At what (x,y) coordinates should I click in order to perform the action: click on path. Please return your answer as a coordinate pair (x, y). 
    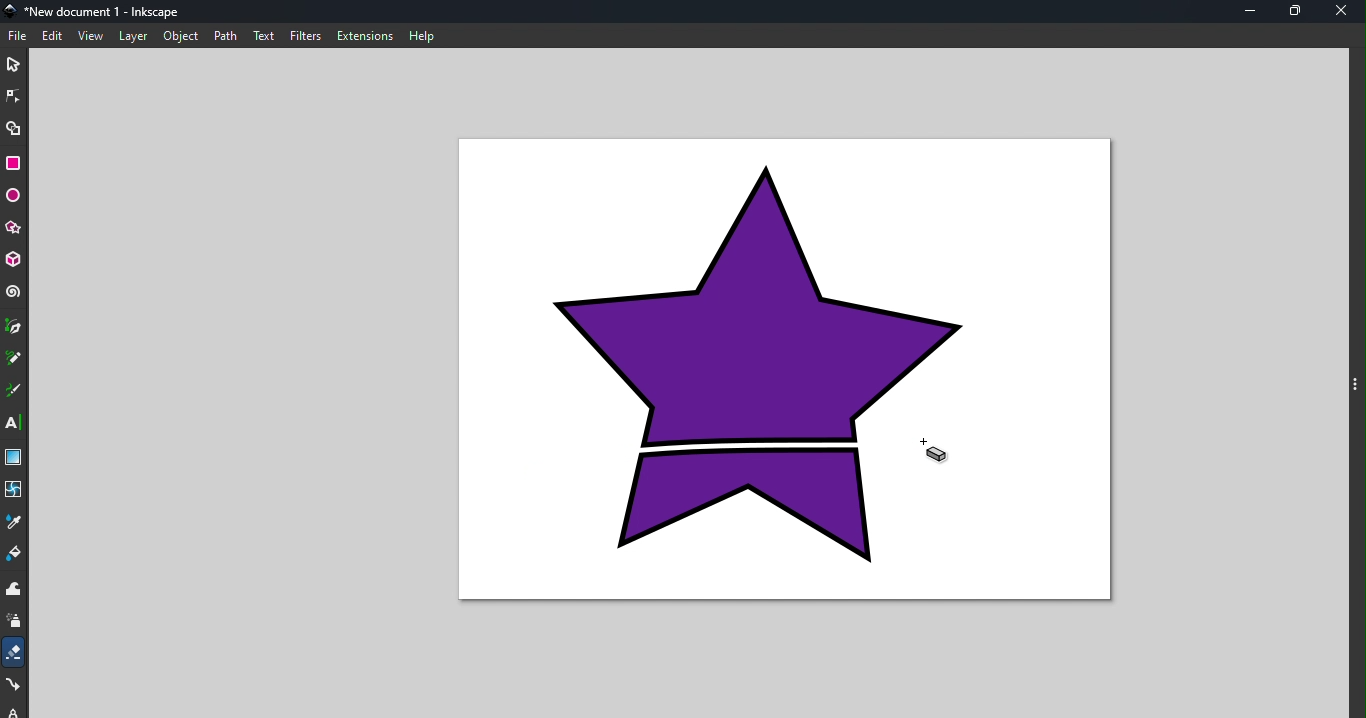
    Looking at the image, I should click on (229, 36).